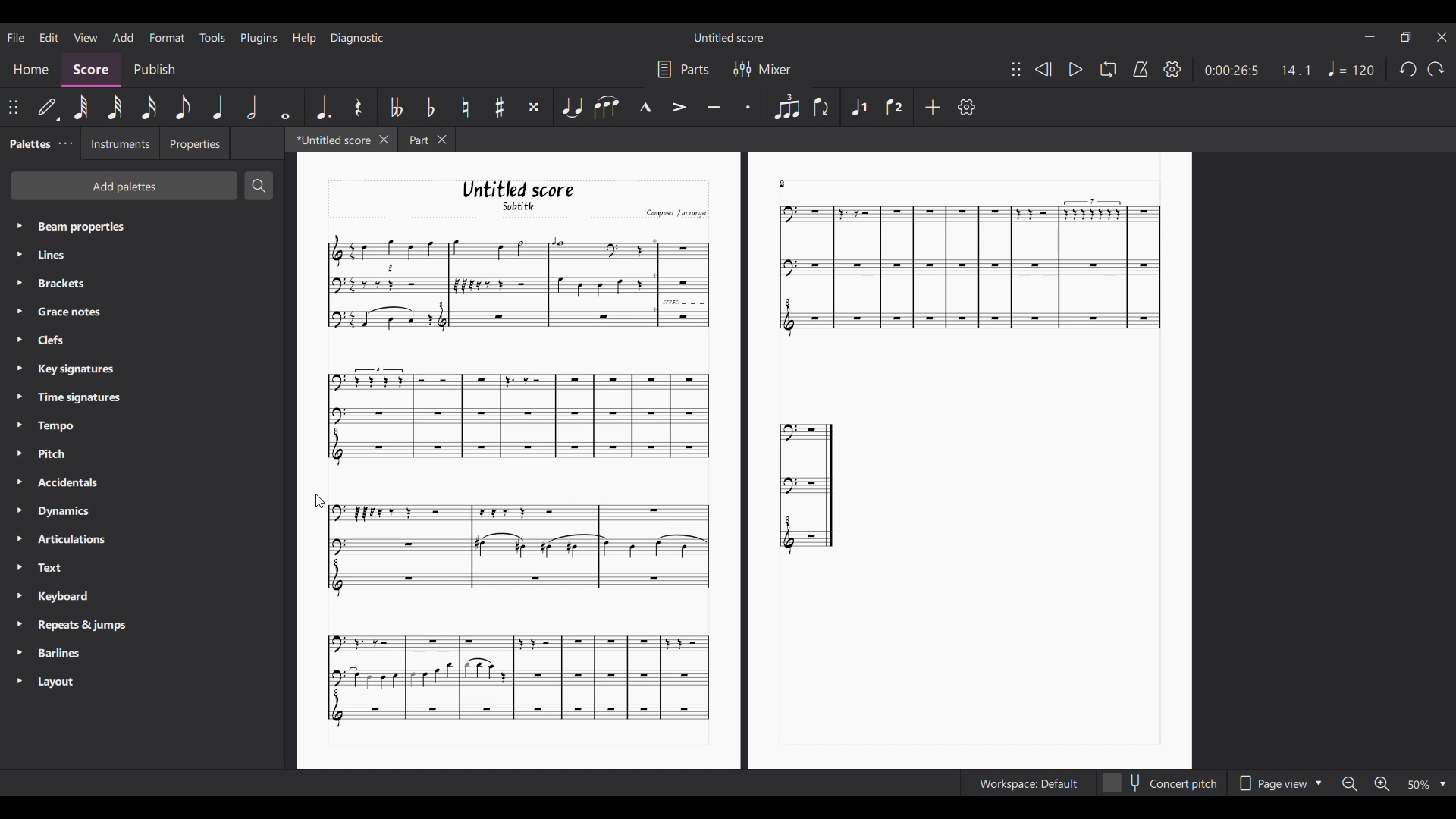 This screenshot has height=819, width=1456. What do you see at coordinates (676, 215) in the screenshot?
I see `Compone | arcanger` at bounding box center [676, 215].